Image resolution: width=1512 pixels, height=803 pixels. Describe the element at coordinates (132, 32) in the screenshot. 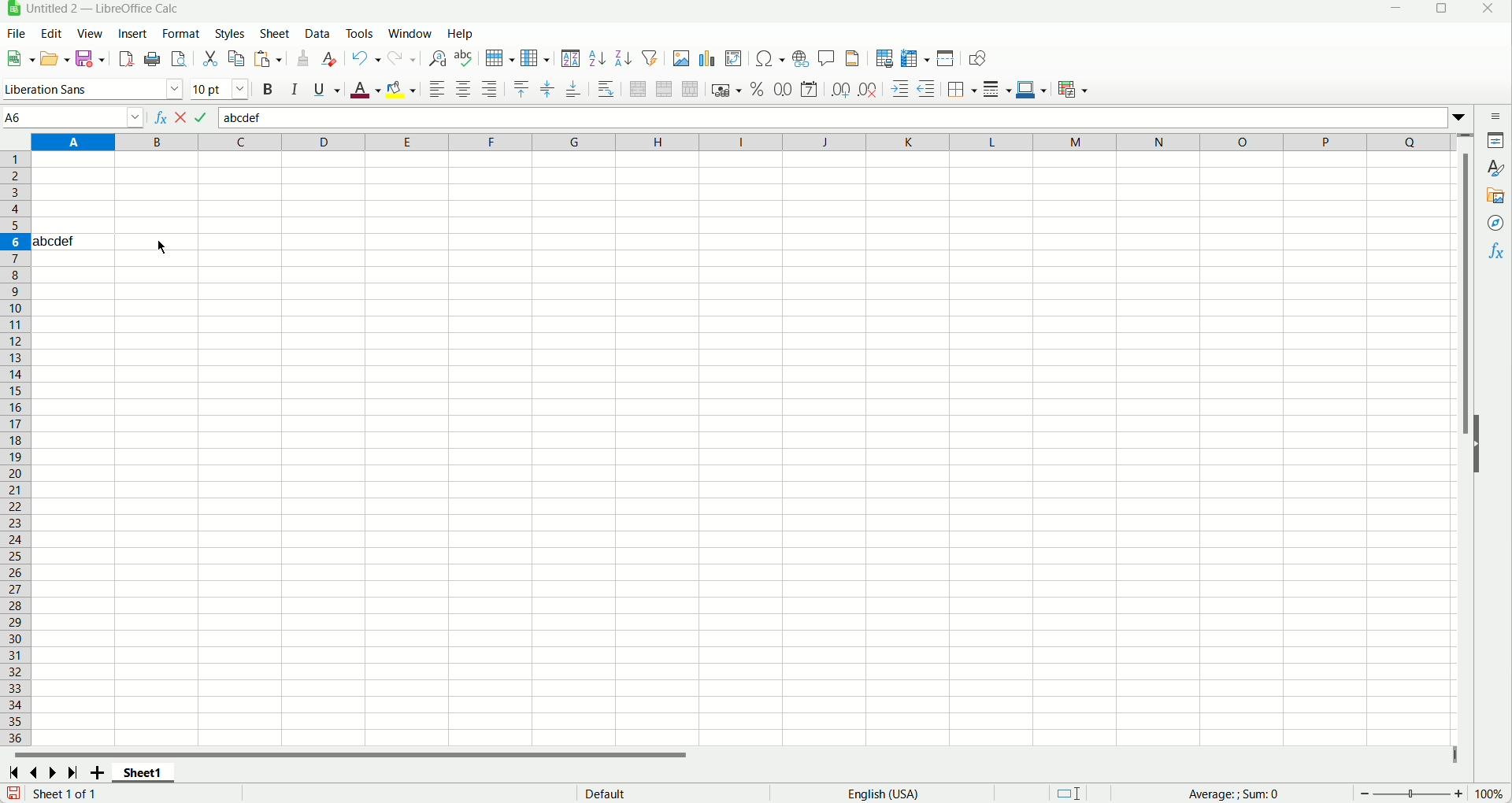

I see `insert` at that location.